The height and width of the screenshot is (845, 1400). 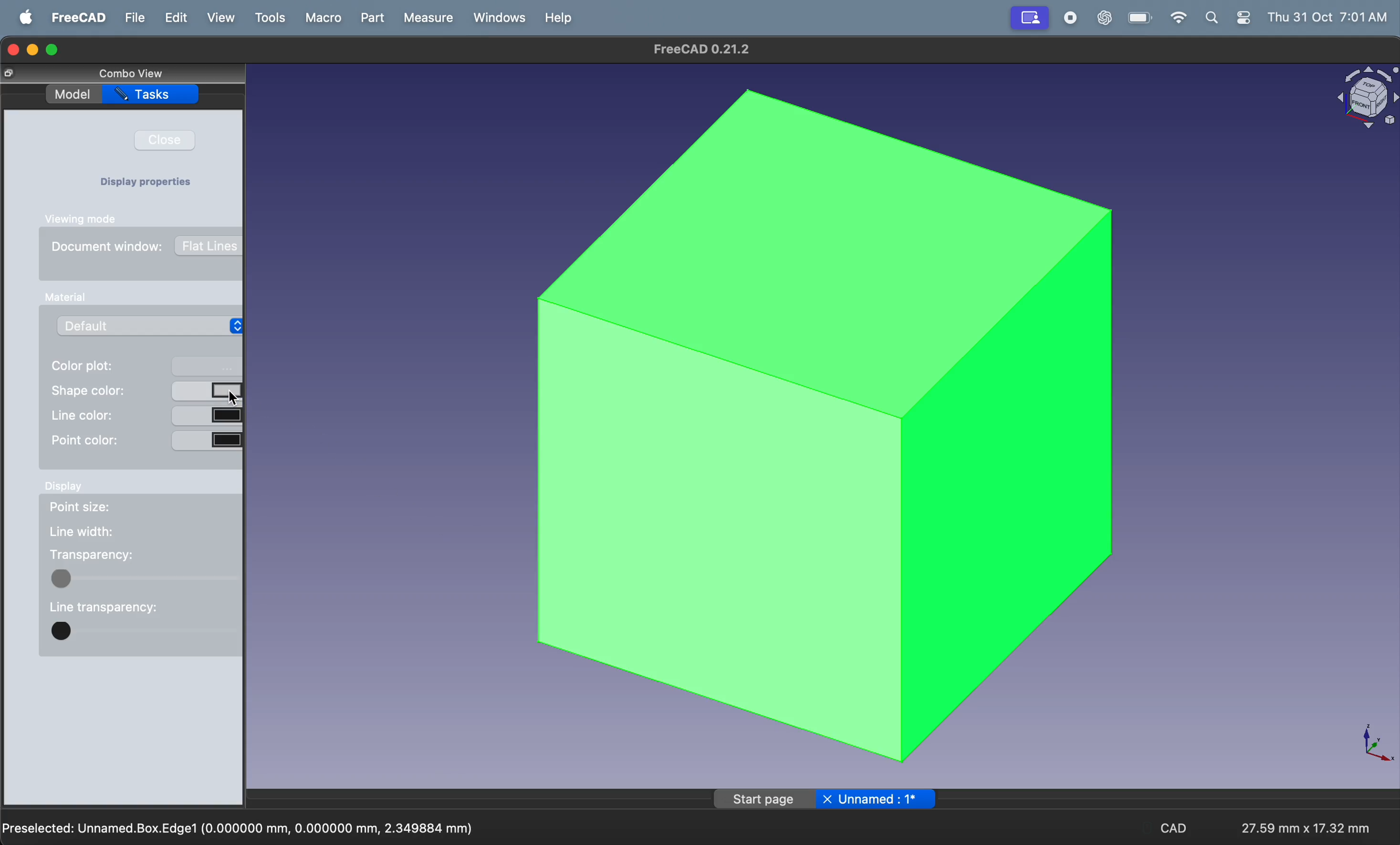 I want to click on apple menu, so click(x=26, y=18).